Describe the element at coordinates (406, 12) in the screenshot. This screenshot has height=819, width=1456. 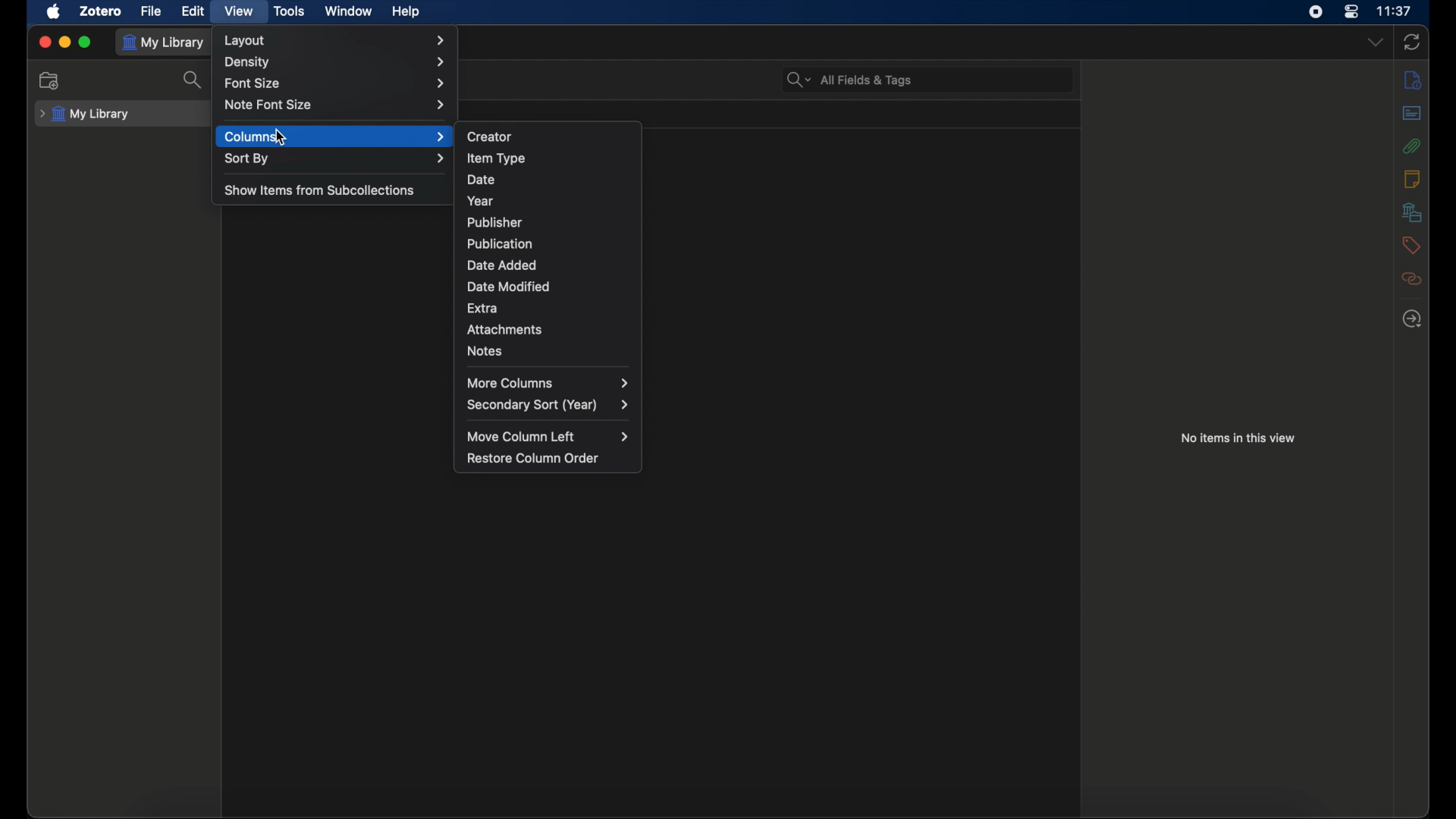
I see `help` at that location.